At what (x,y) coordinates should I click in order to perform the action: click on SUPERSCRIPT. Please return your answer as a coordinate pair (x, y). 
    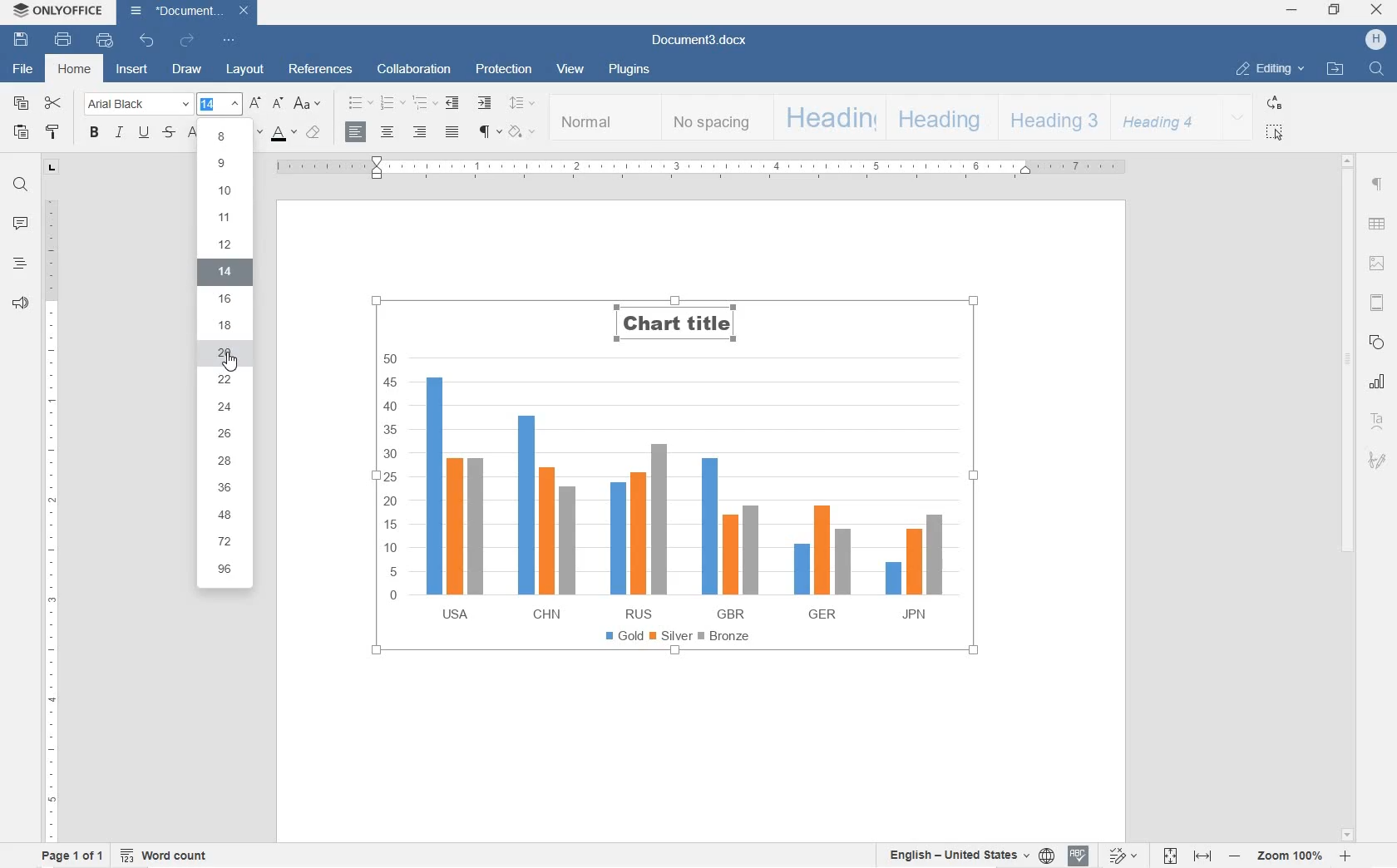
    Looking at the image, I should click on (193, 134).